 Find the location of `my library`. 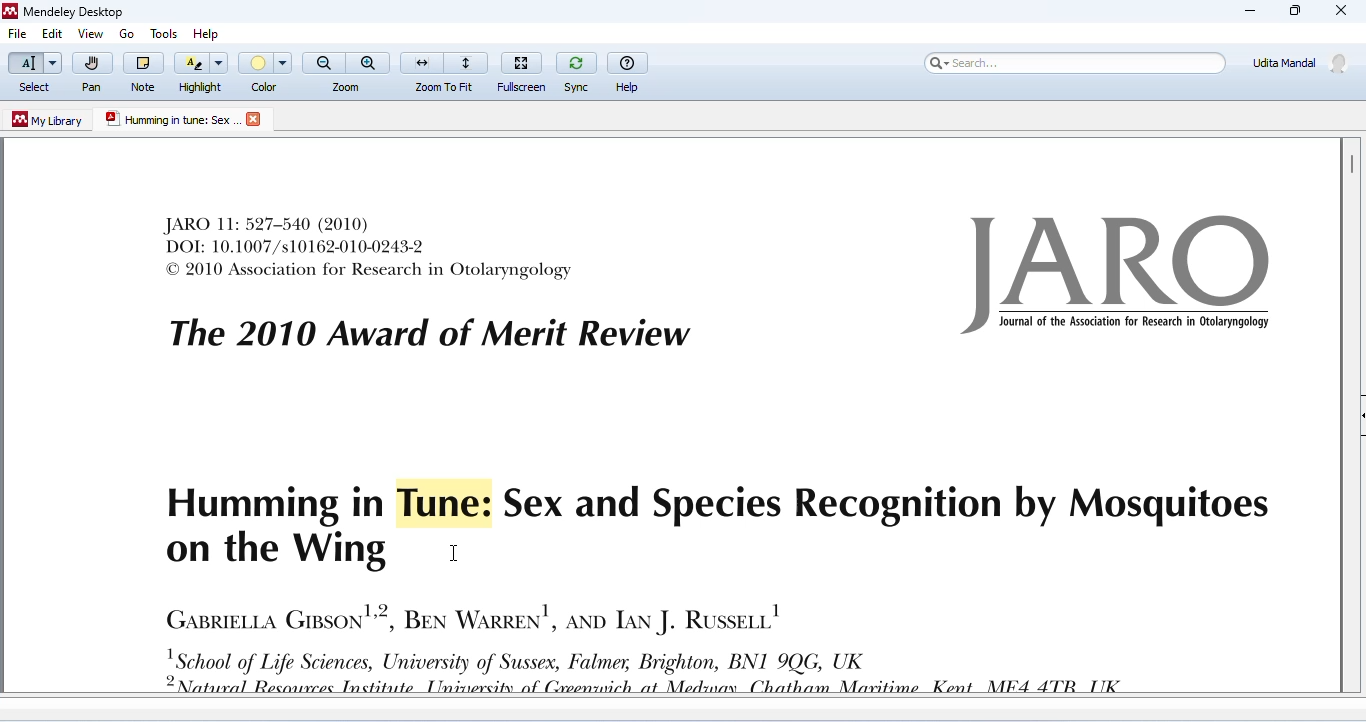

my library is located at coordinates (49, 120).